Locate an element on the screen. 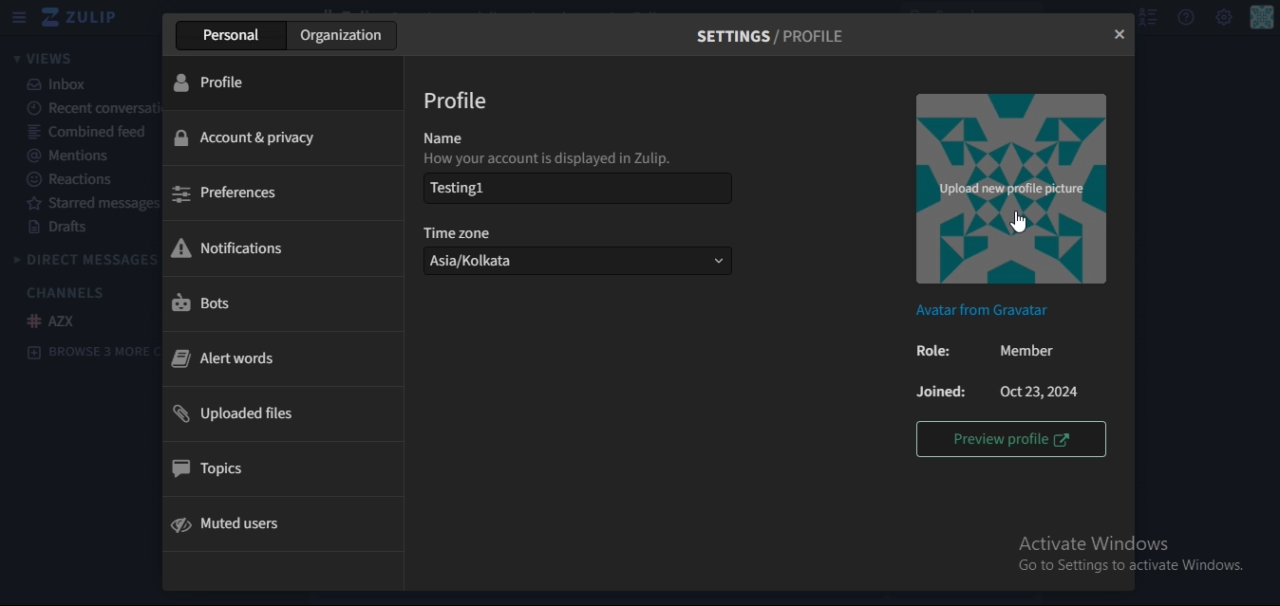 This screenshot has width=1280, height=606. preview profile is located at coordinates (1011, 438).